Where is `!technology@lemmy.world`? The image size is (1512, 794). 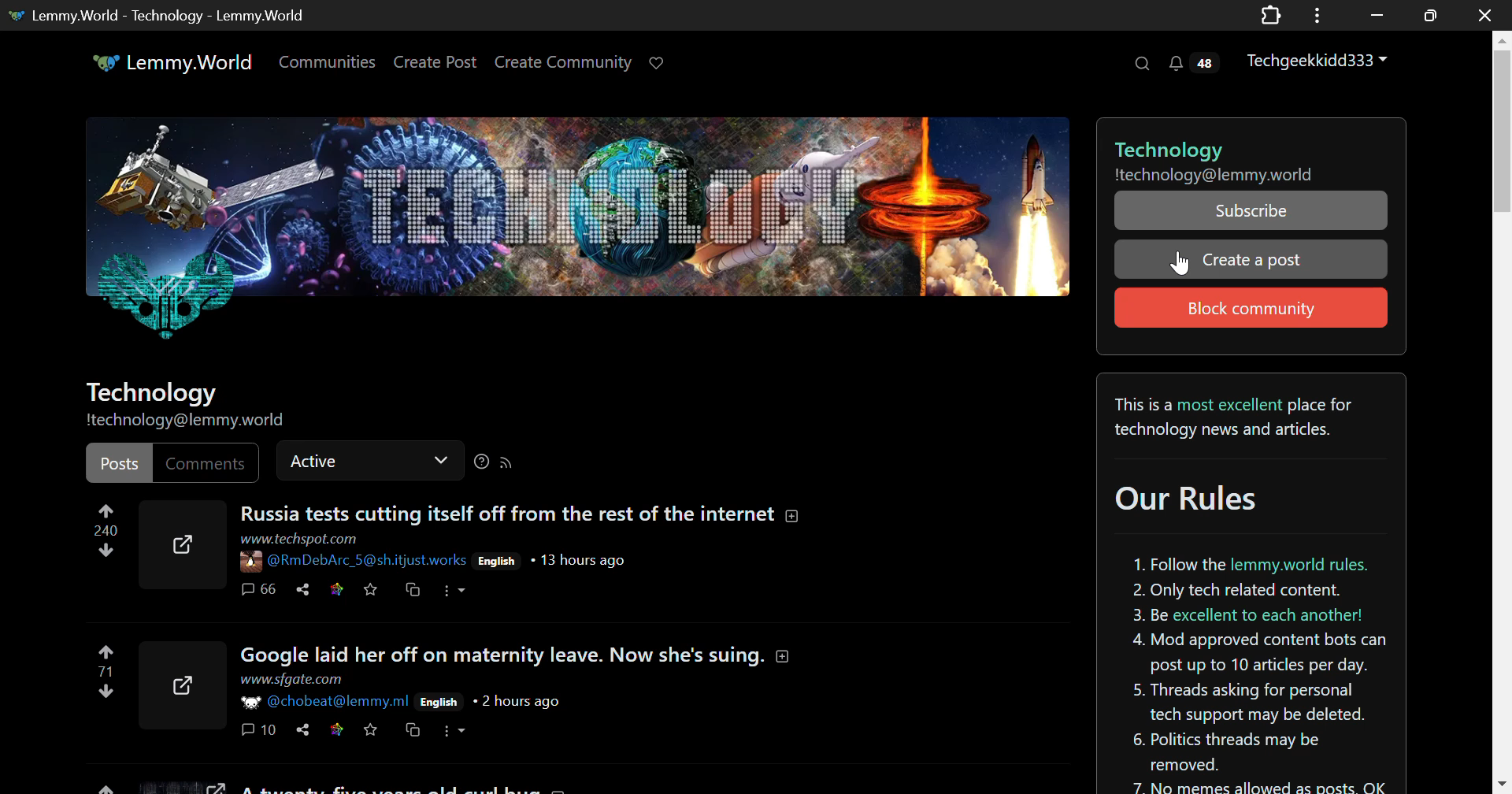 !technology@lemmy.world is located at coordinates (195, 421).